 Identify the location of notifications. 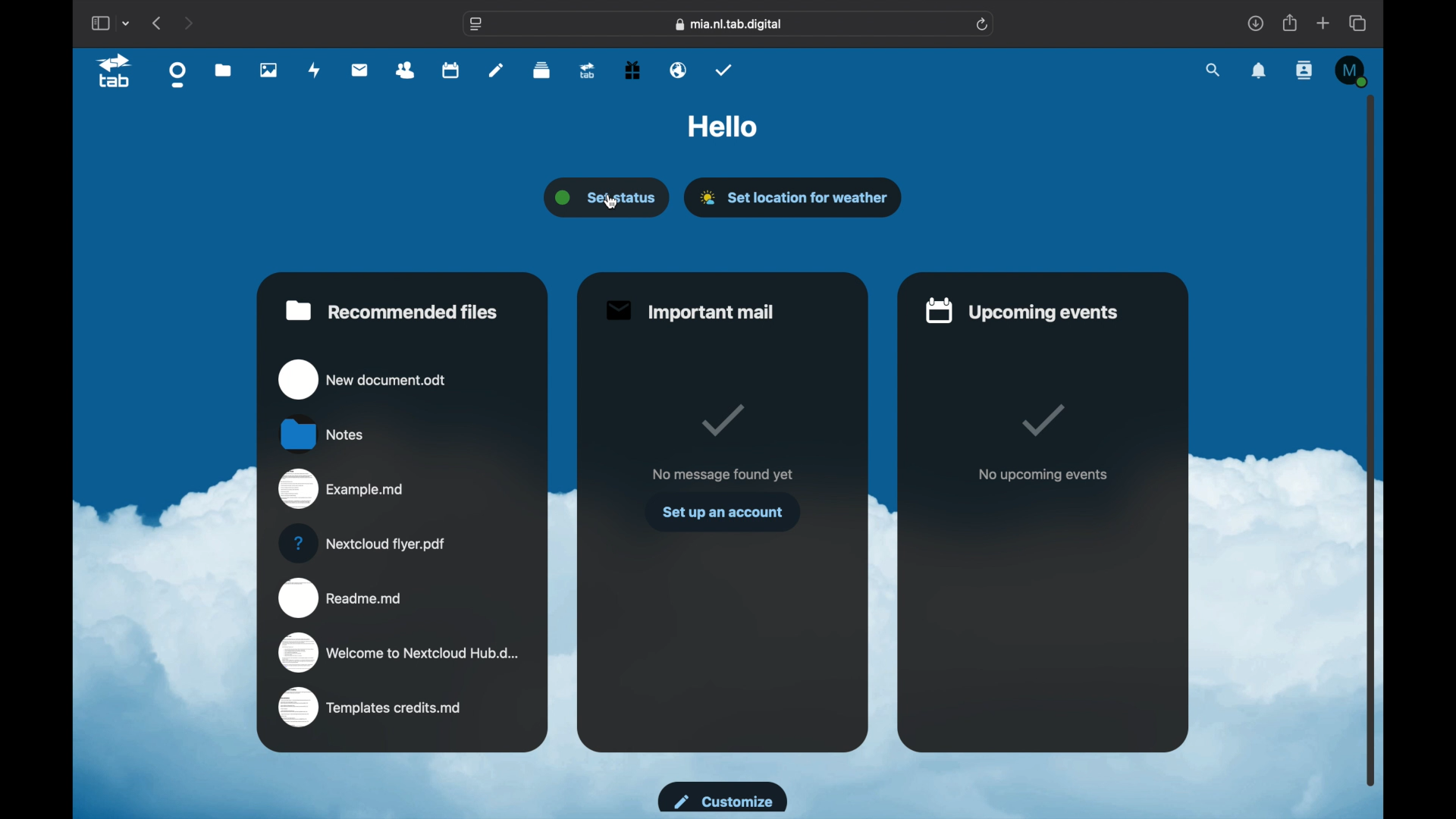
(1260, 71).